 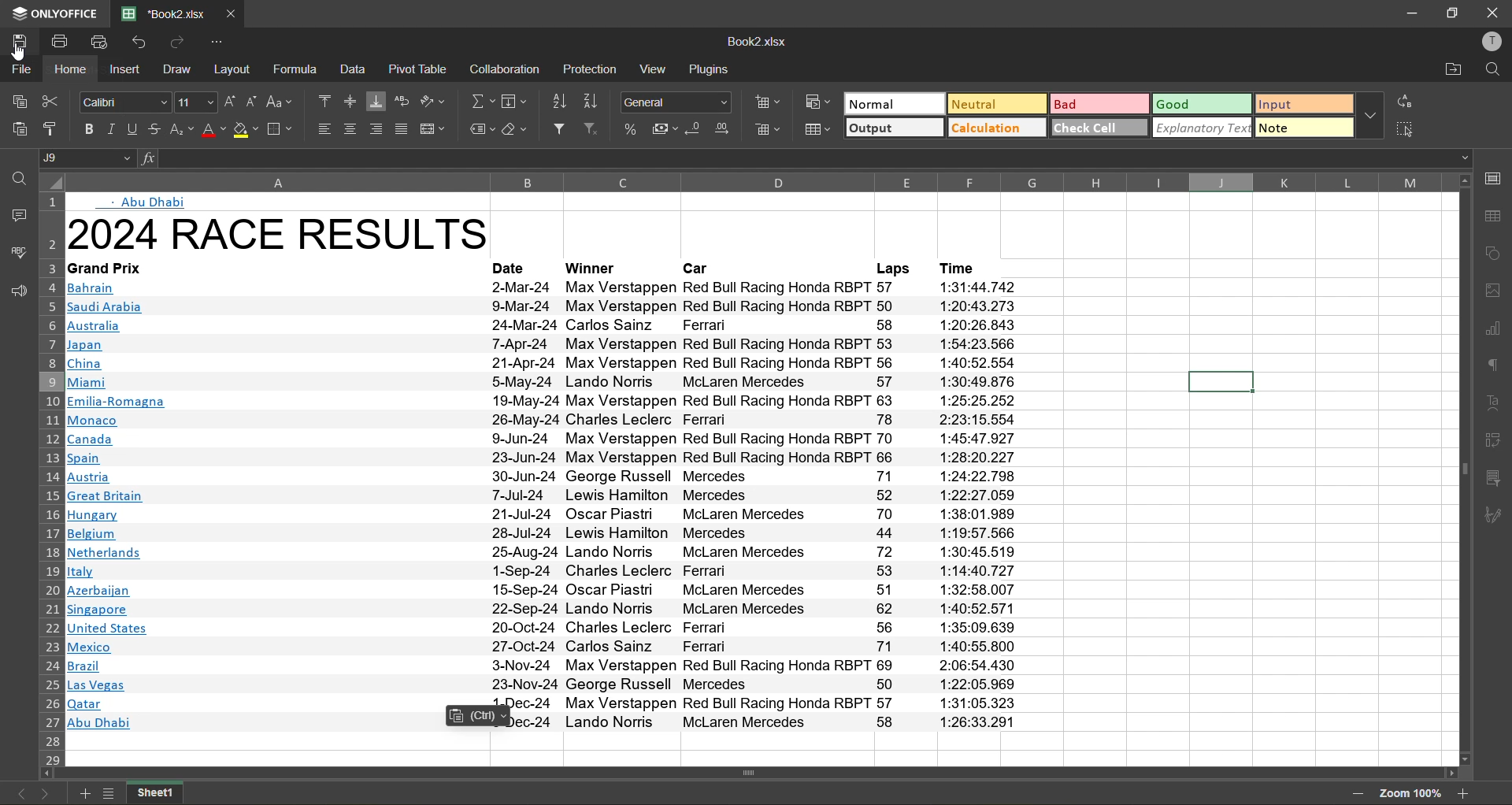 What do you see at coordinates (544, 308) in the screenshot?
I see `` at bounding box center [544, 308].